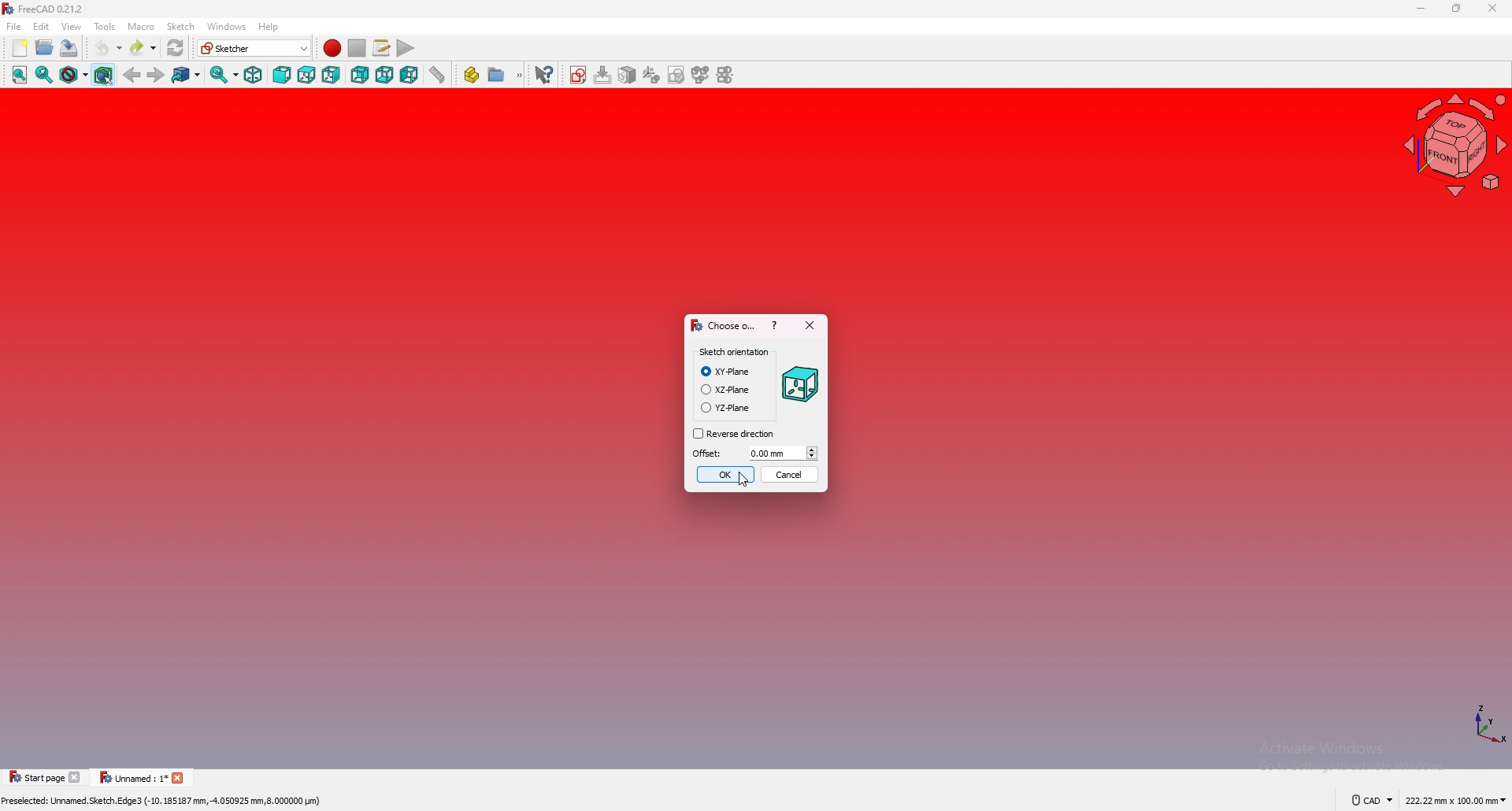 The image size is (1512, 811). Describe the element at coordinates (808, 324) in the screenshot. I see `close` at that location.